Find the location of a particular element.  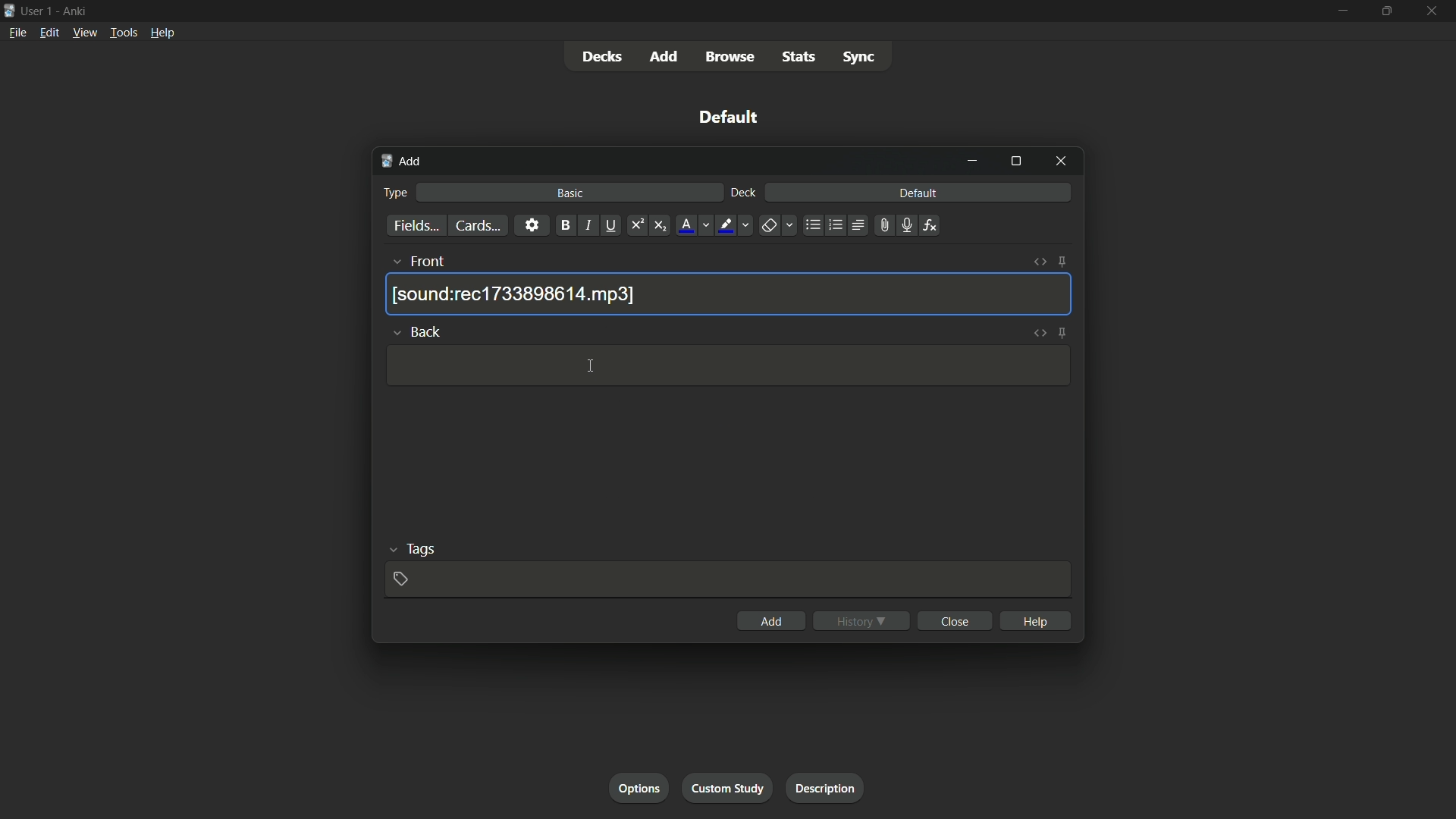

back is located at coordinates (428, 331).